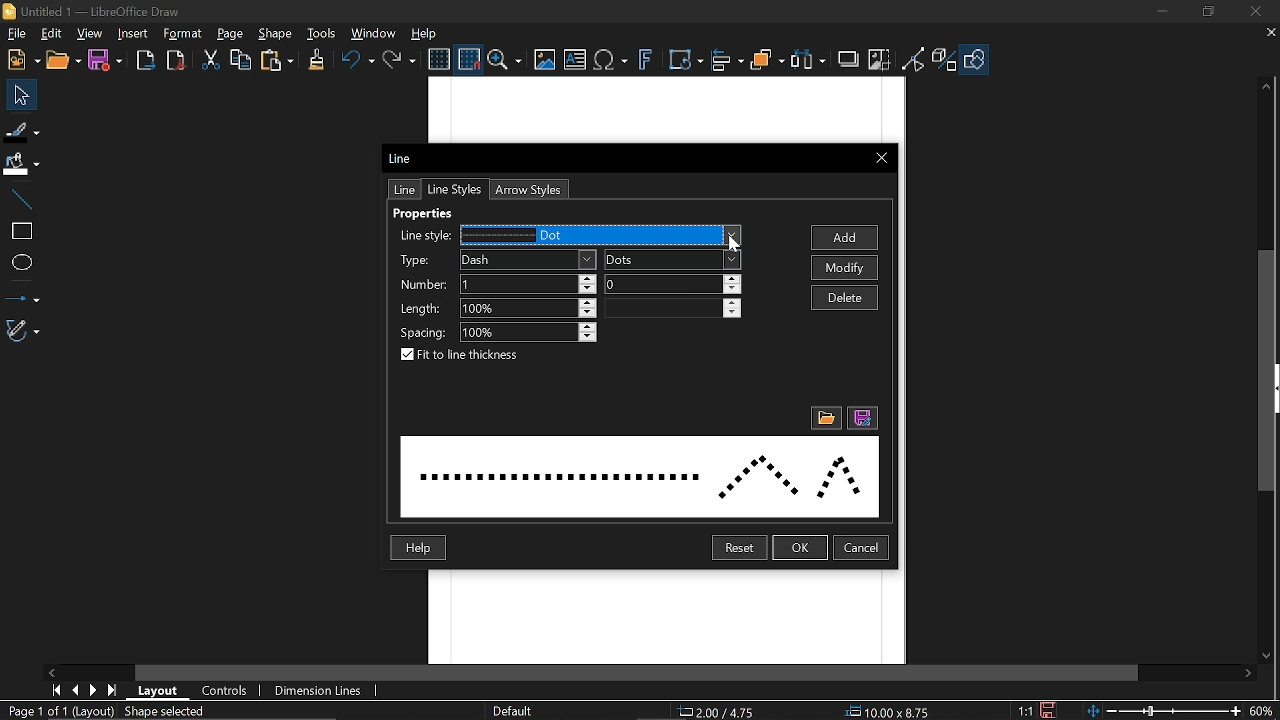  Describe the element at coordinates (278, 60) in the screenshot. I see `paste` at that location.